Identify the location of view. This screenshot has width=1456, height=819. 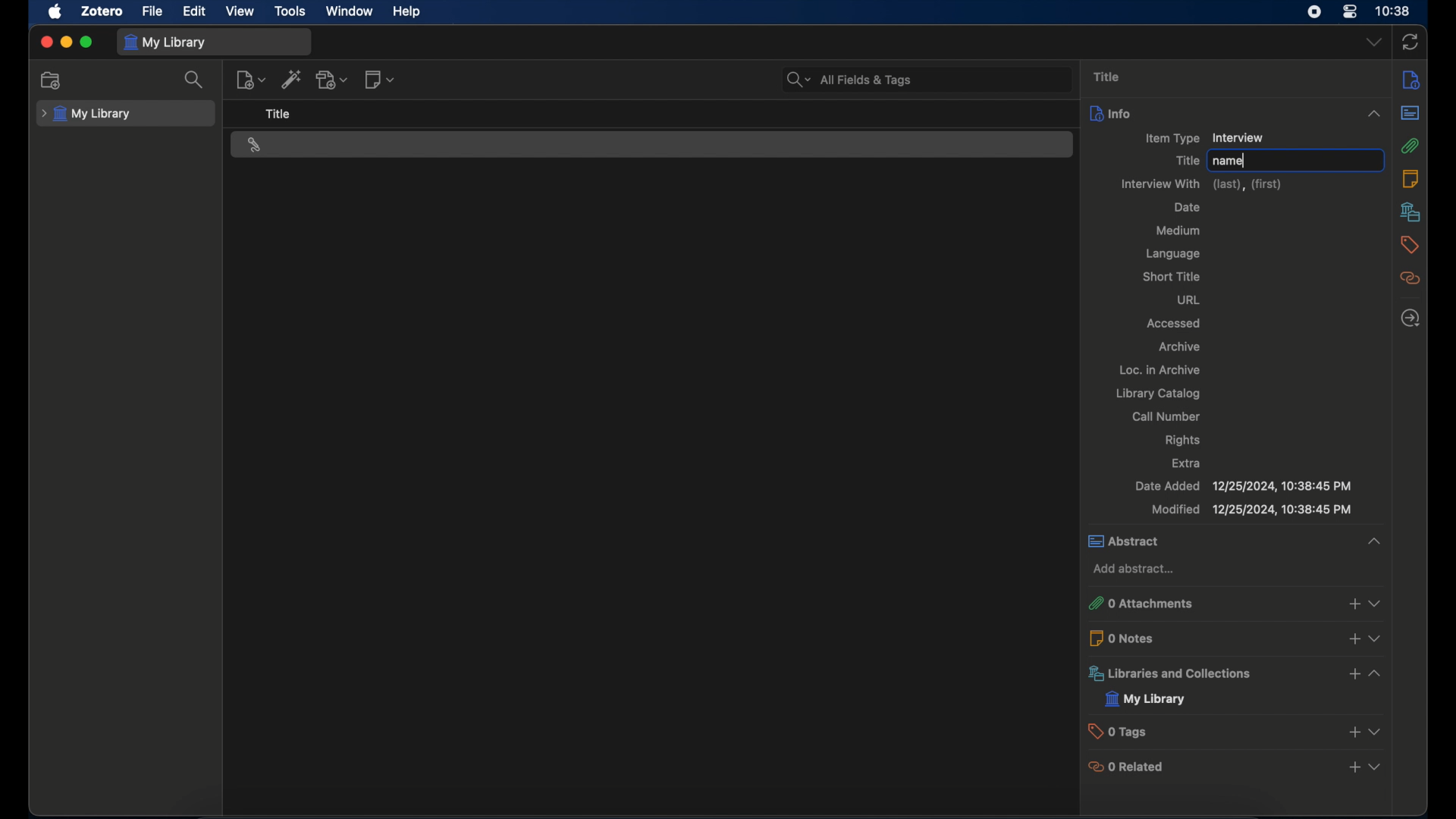
(240, 11).